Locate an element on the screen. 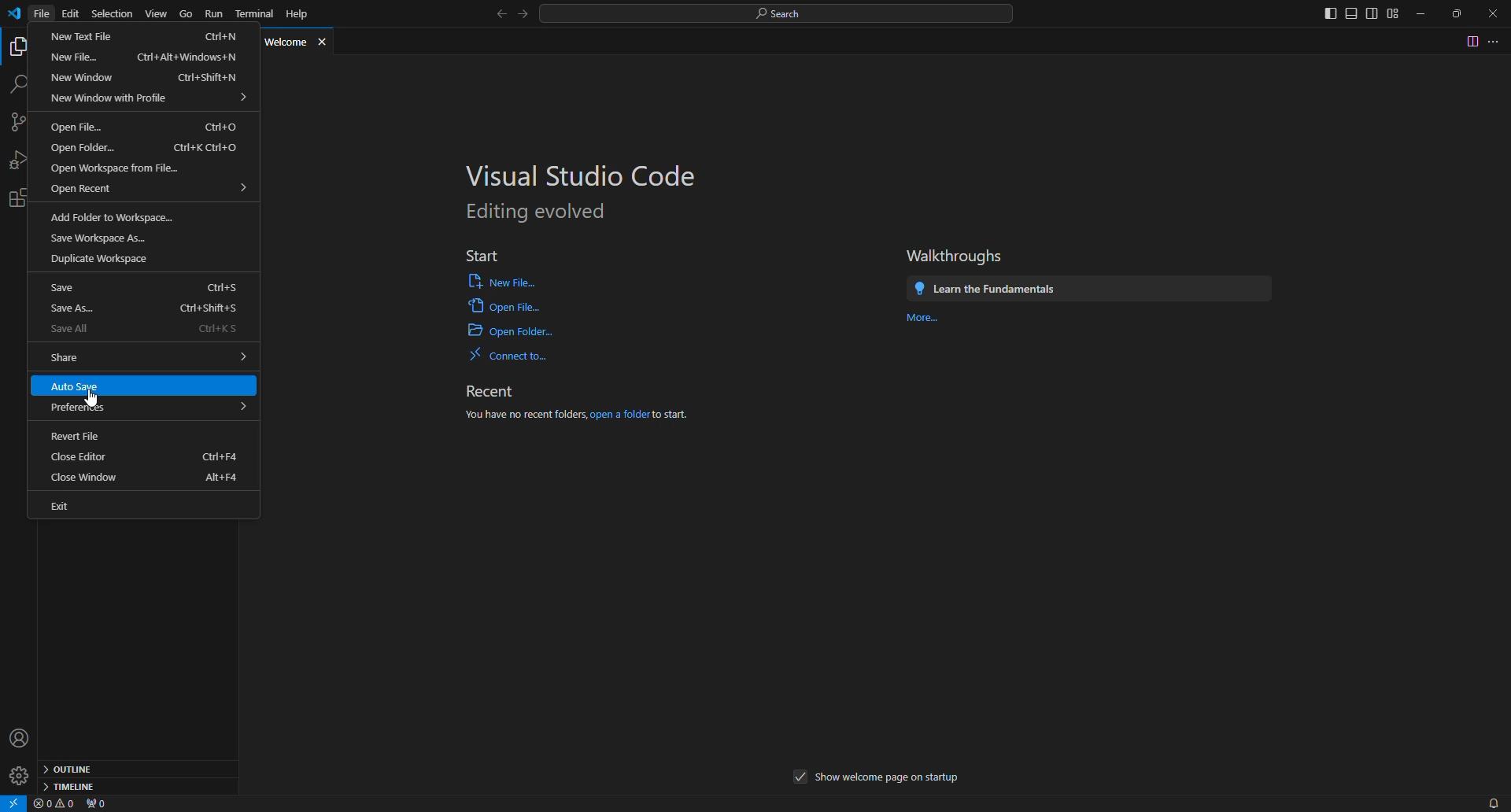 The height and width of the screenshot is (812, 1511). exit is located at coordinates (61, 506).